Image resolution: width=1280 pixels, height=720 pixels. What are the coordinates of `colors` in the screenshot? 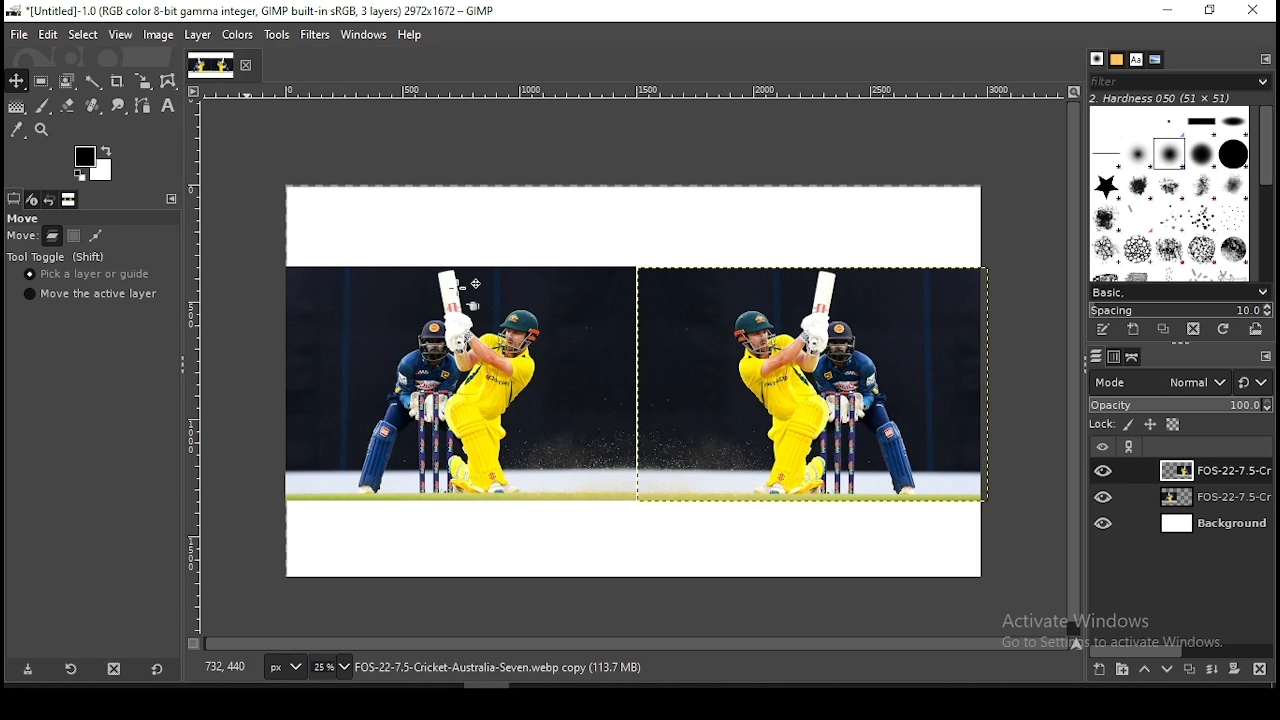 It's located at (240, 36).